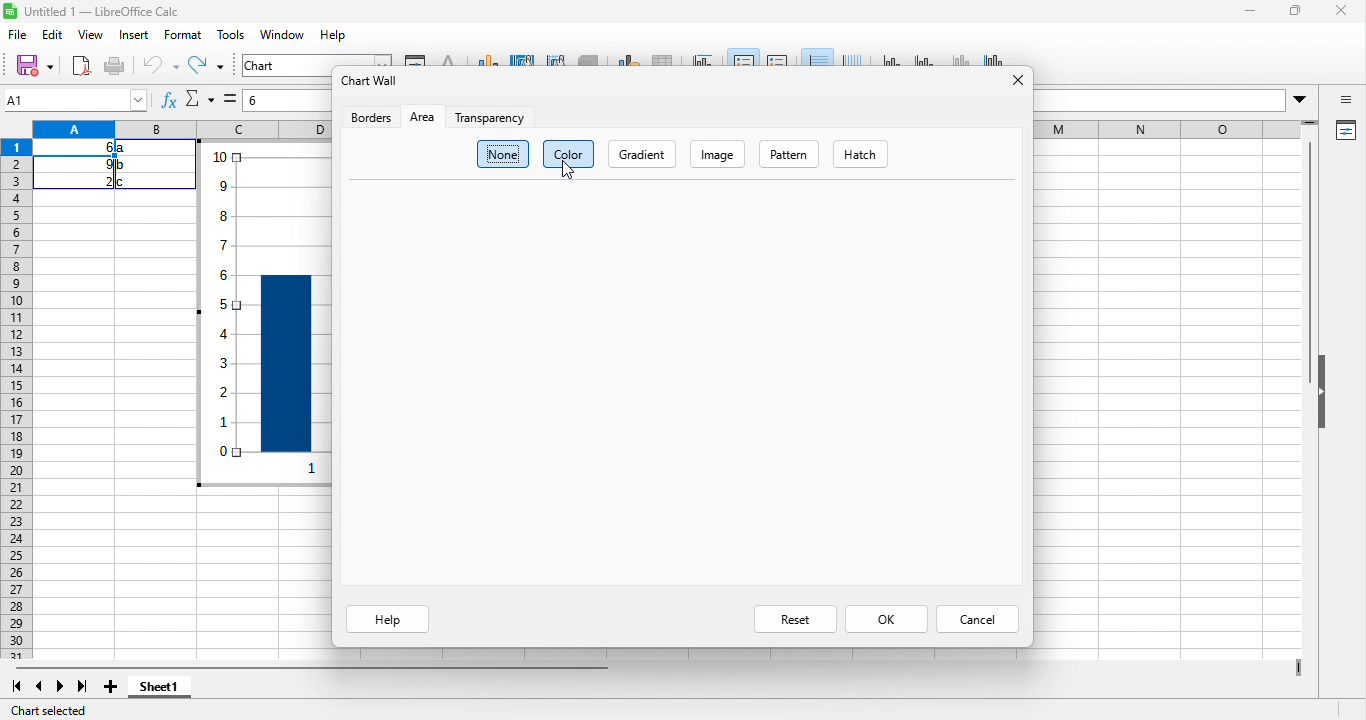 This screenshot has height=720, width=1366. What do you see at coordinates (284, 35) in the screenshot?
I see `window` at bounding box center [284, 35].